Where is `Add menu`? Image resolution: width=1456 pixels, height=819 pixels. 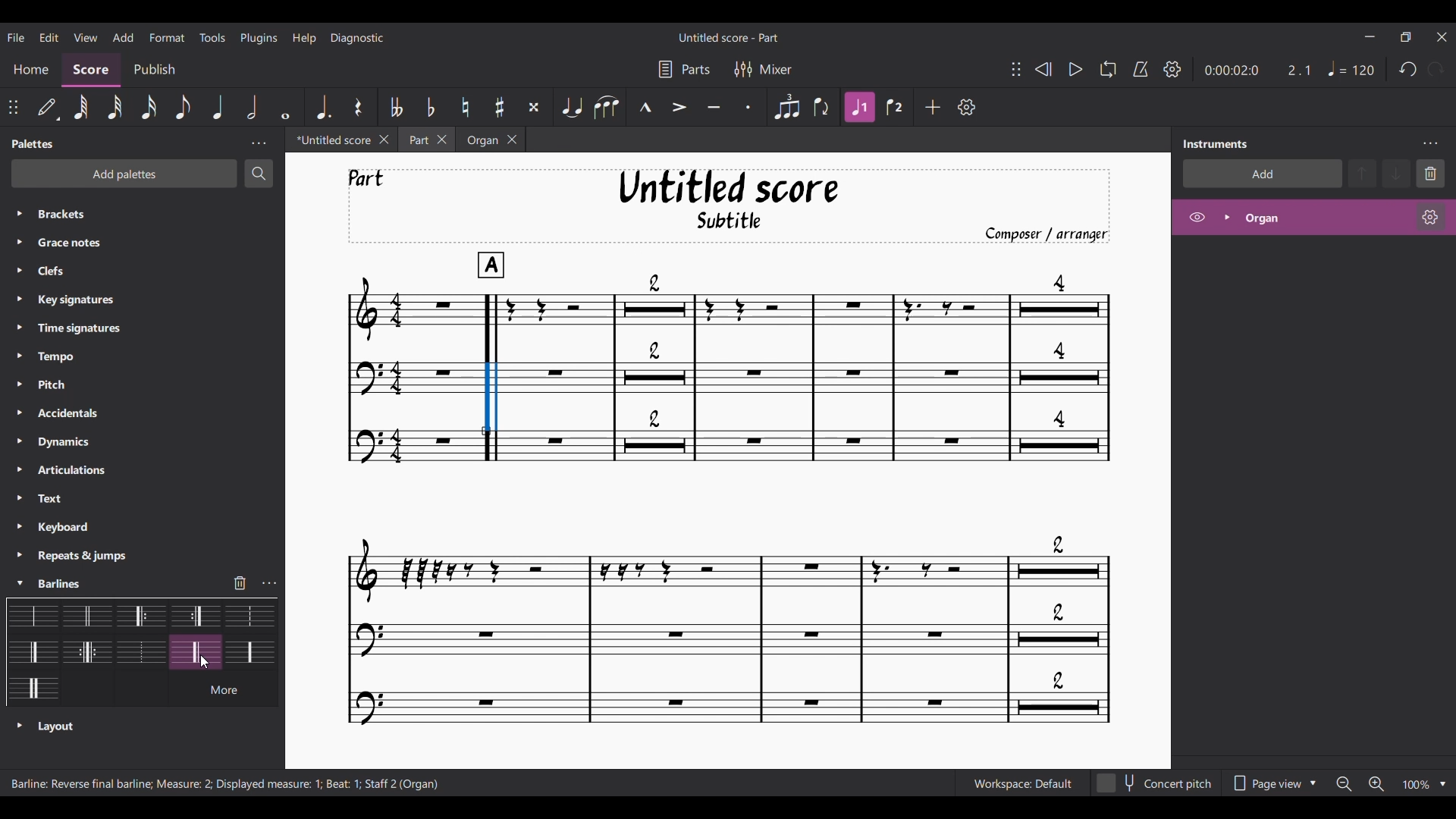
Add menu is located at coordinates (123, 36).